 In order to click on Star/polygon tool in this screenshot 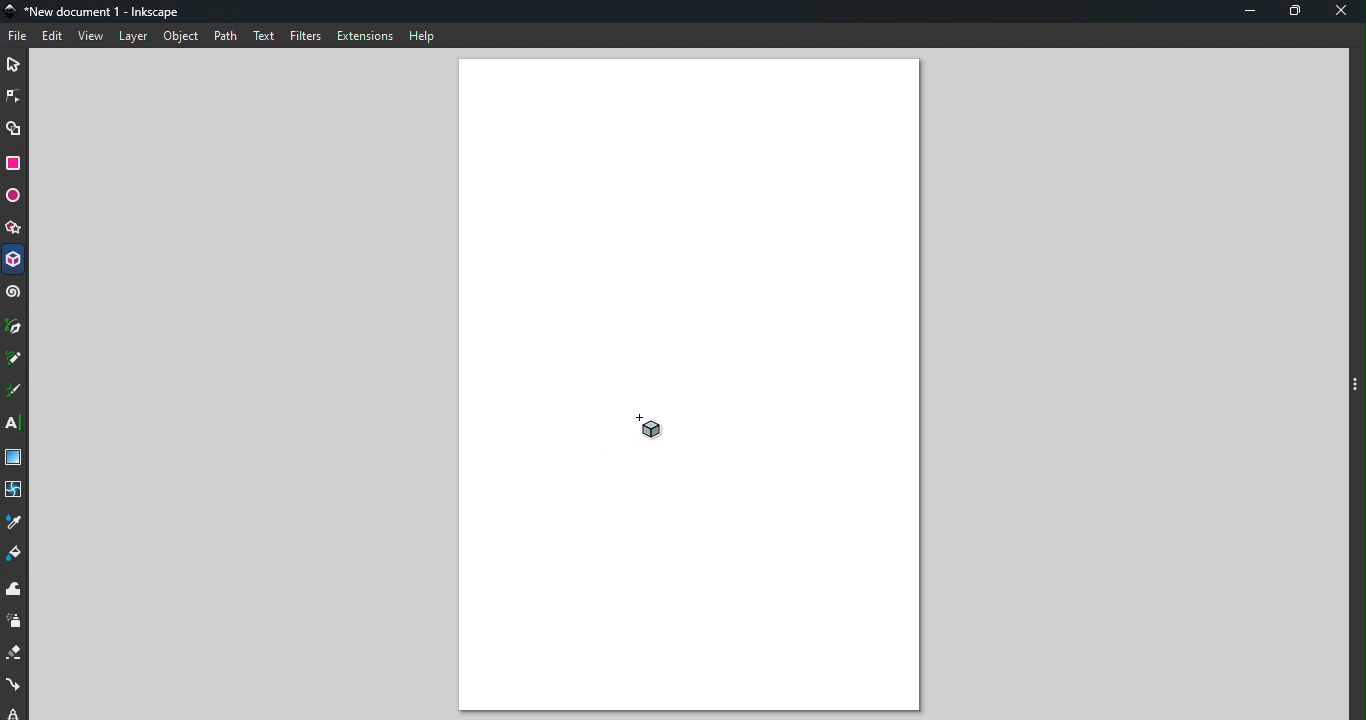, I will do `click(15, 225)`.